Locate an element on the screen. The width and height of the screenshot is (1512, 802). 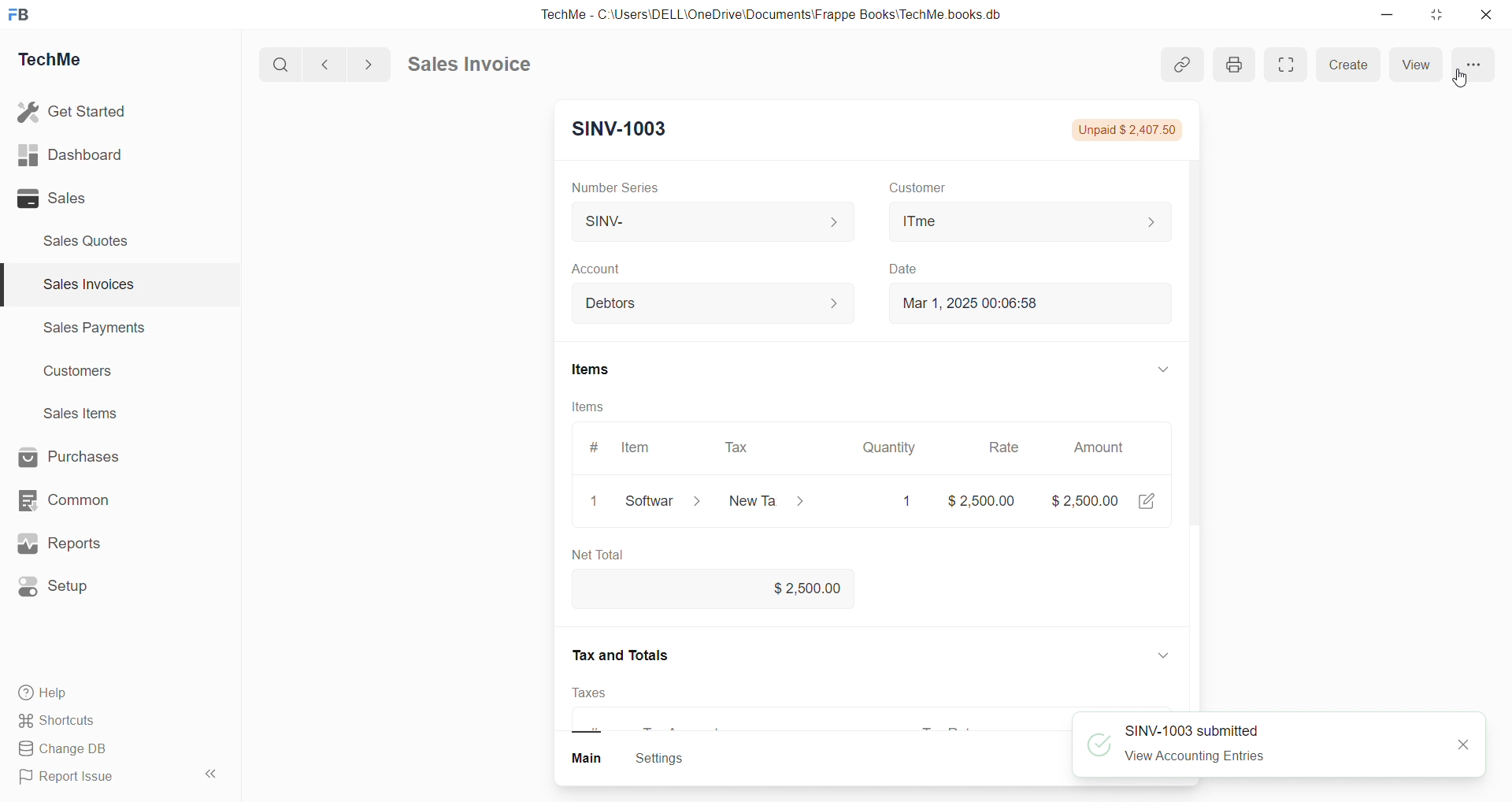
$2,500.00 (4 is located at coordinates (1111, 500).